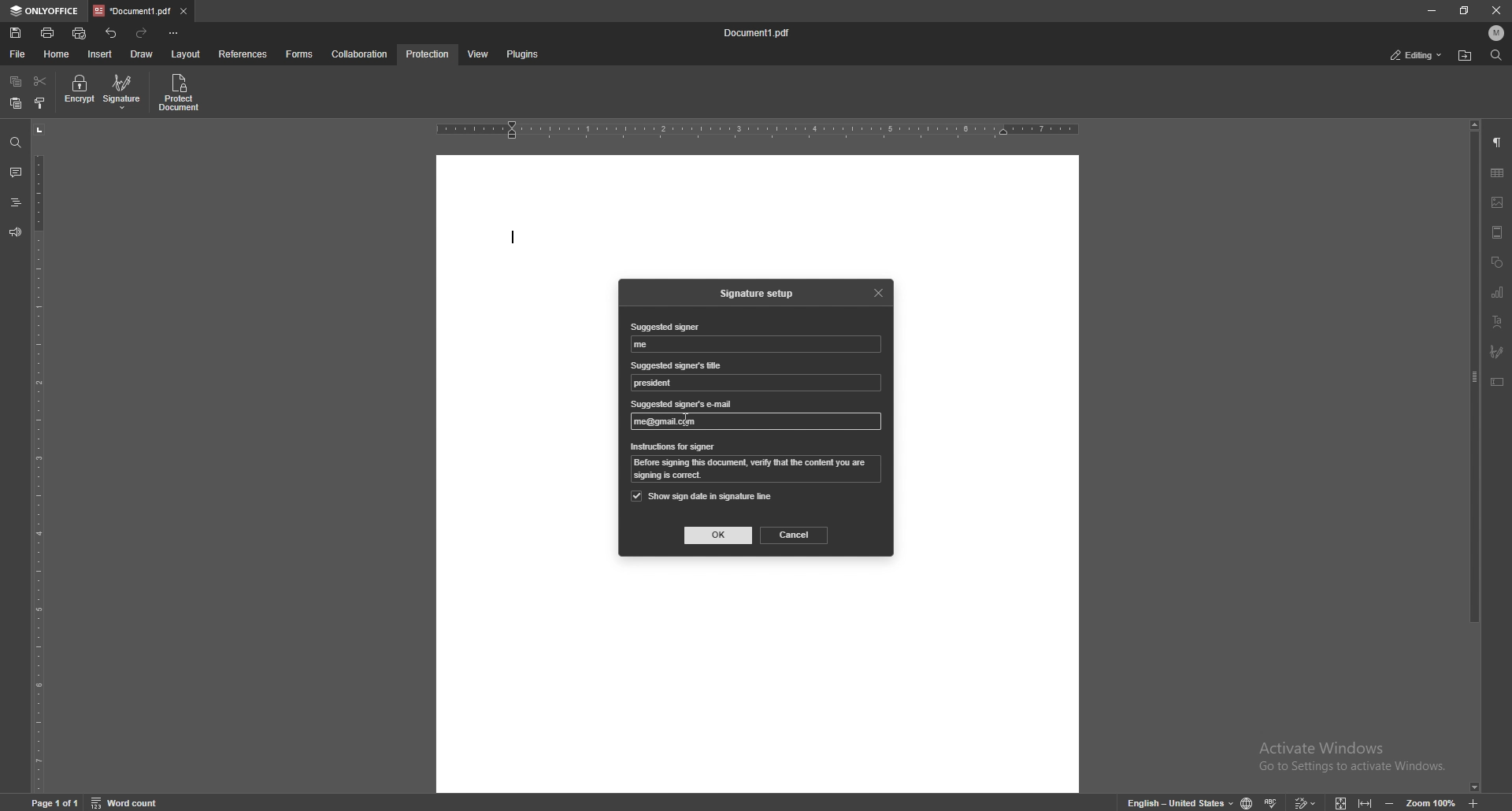 Image resolution: width=1512 pixels, height=811 pixels. What do you see at coordinates (185, 55) in the screenshot?
I see `layout` at bounding box center [185, 55].